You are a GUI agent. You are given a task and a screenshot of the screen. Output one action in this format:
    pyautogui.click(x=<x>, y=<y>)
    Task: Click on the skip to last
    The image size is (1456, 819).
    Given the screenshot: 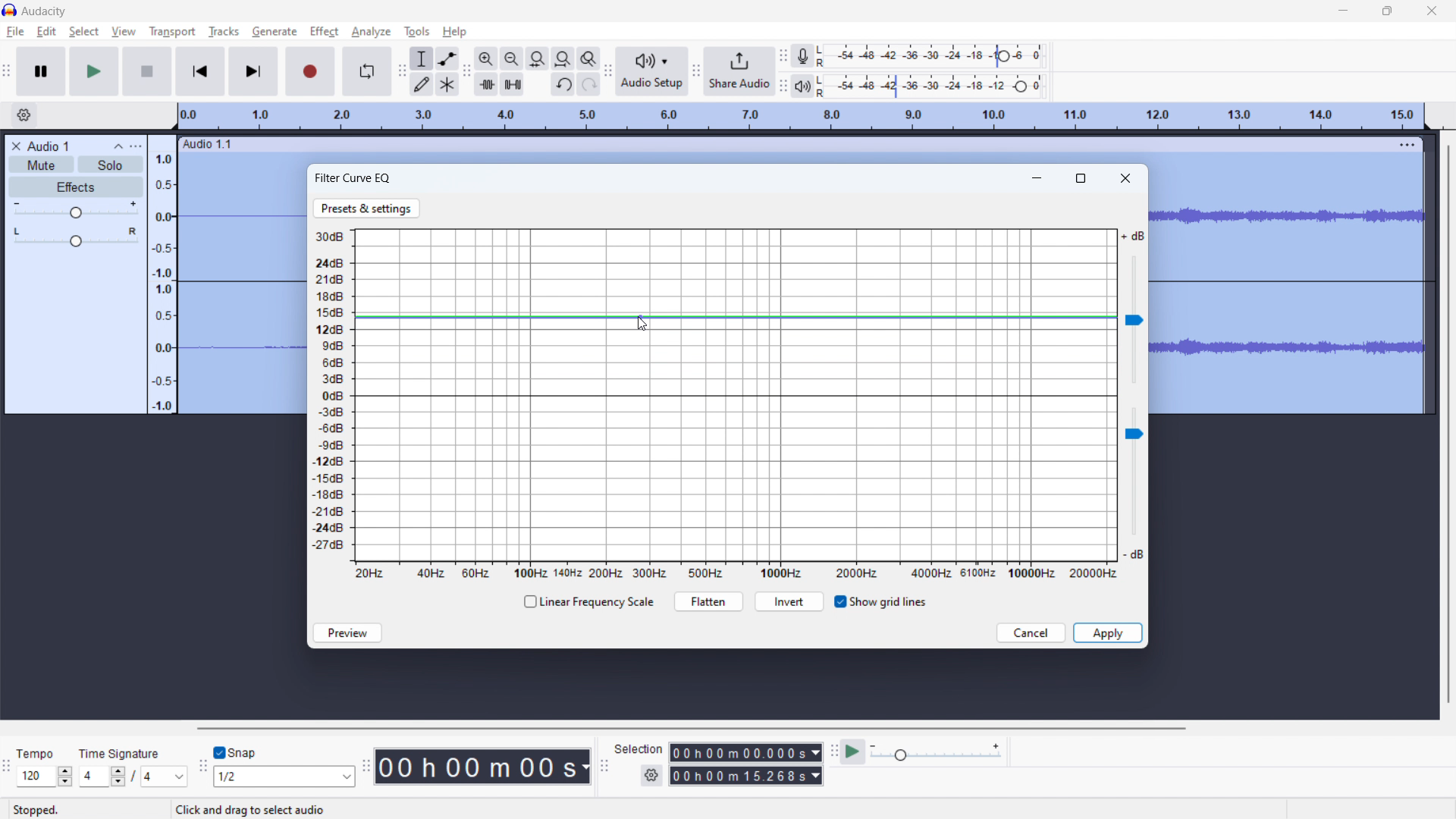 What is the action you would take?
    pyautogui.click(x=254, y=72)
    